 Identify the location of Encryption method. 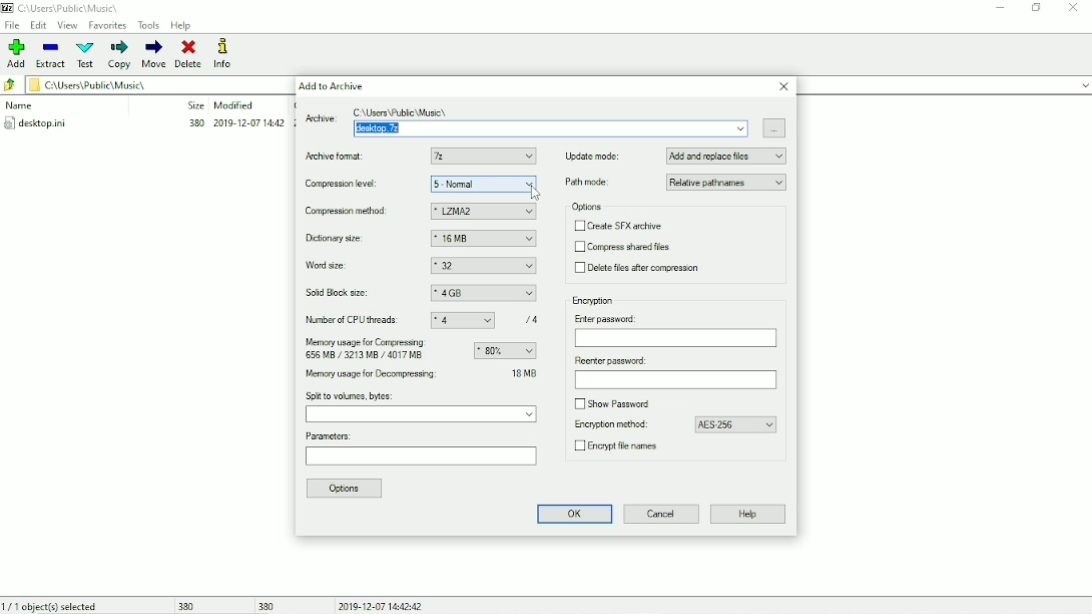
(608, 425).